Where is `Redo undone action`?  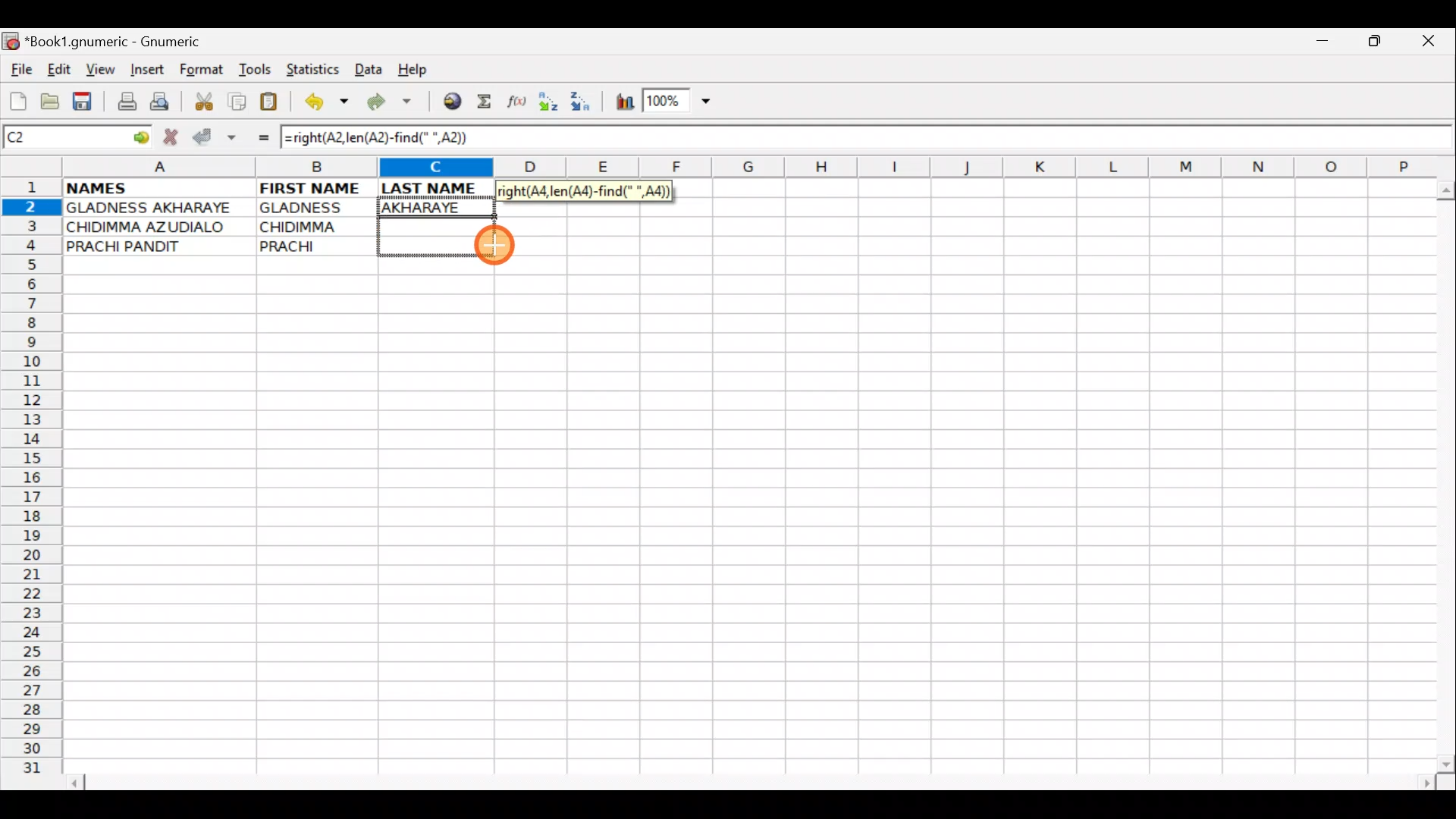 Redo undone action is located at coordinates (393, 104).